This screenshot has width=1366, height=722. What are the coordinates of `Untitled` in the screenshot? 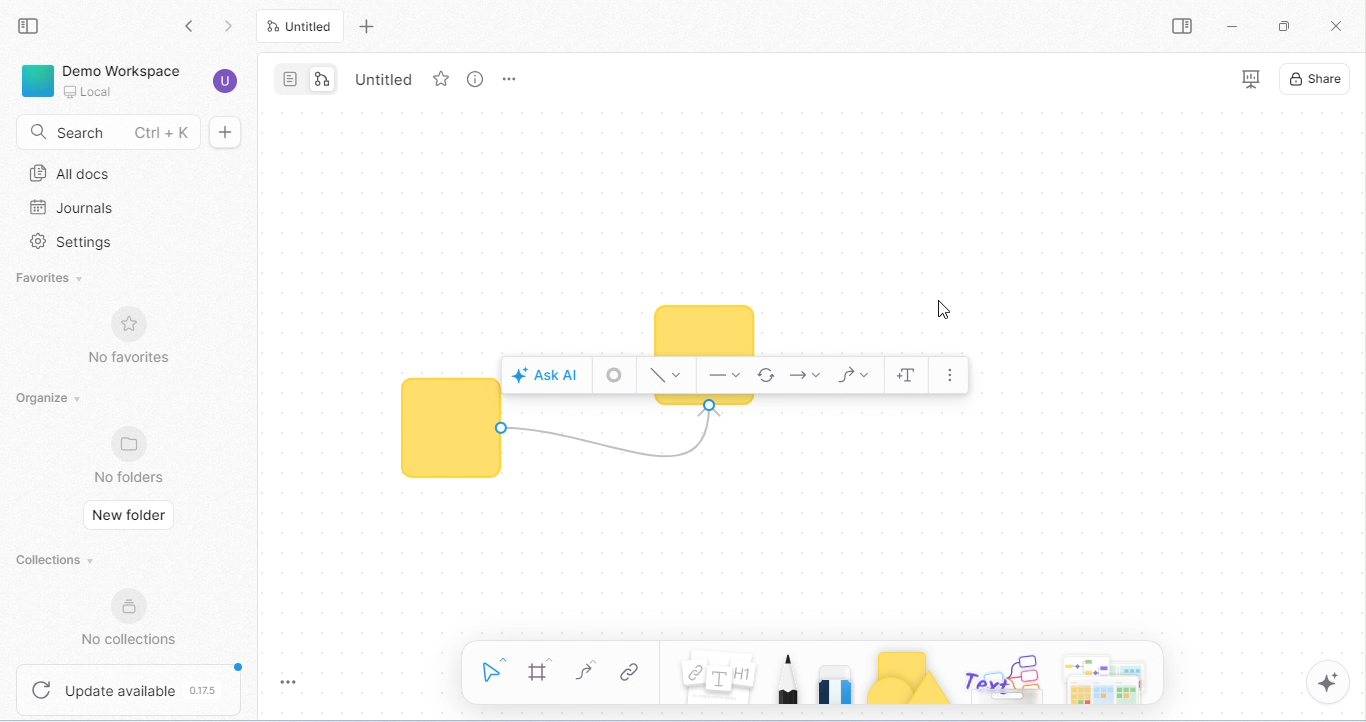 It's located at (302, 26).